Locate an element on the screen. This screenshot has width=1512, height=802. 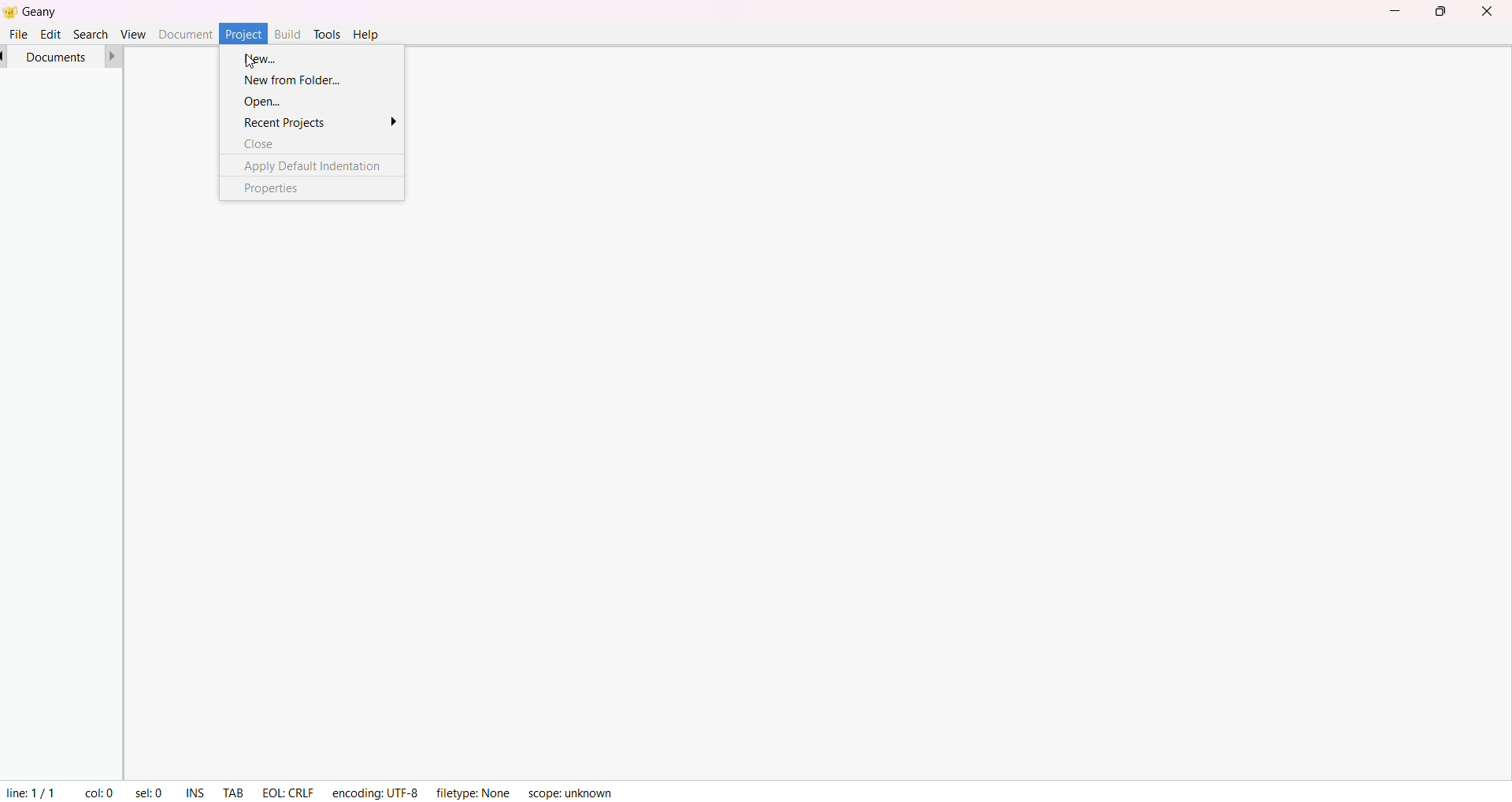
project manager is located at coordinates (57, 423).